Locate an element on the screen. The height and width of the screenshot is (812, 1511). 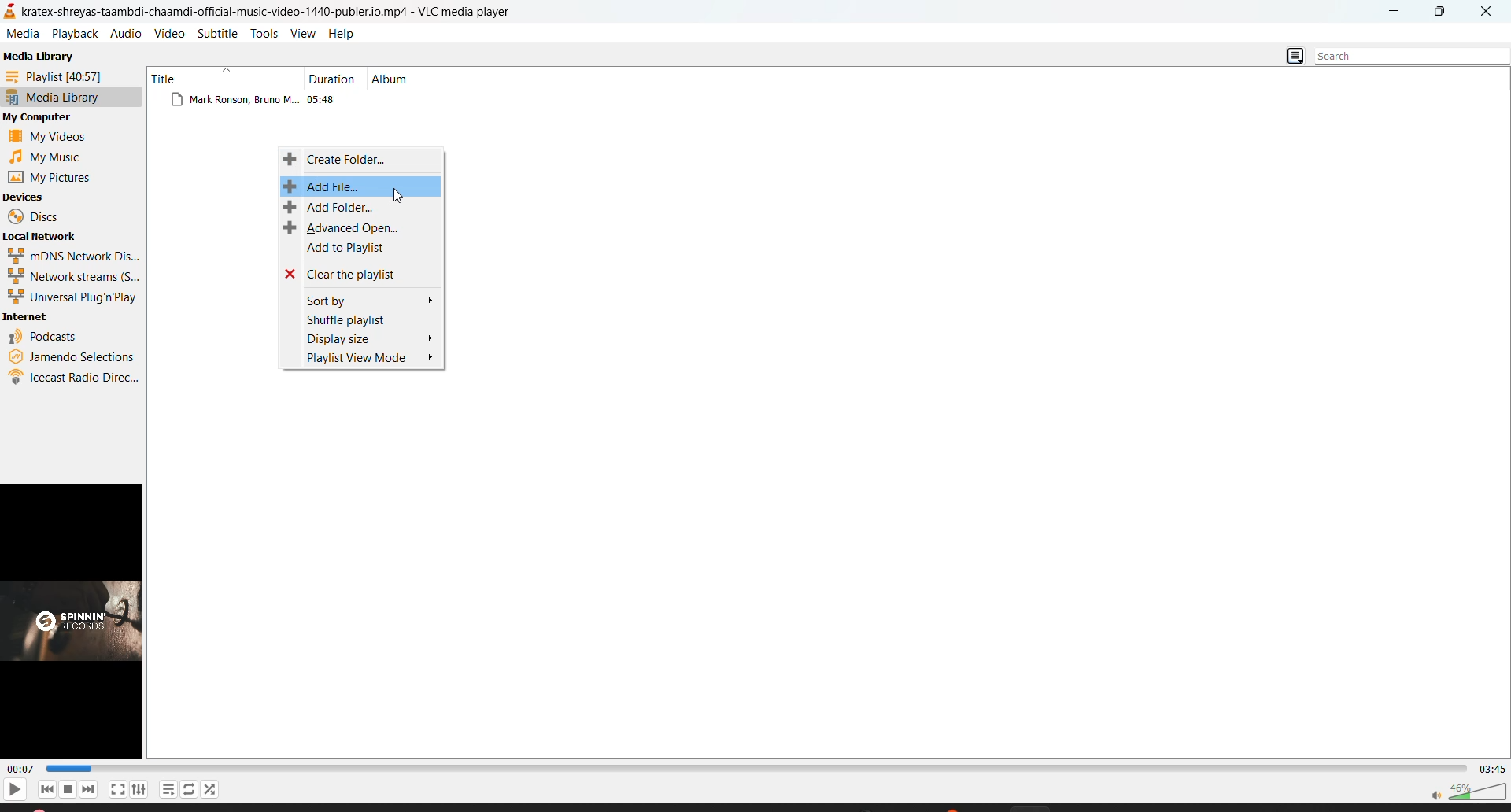
playback is located at coordinates (75, 33).